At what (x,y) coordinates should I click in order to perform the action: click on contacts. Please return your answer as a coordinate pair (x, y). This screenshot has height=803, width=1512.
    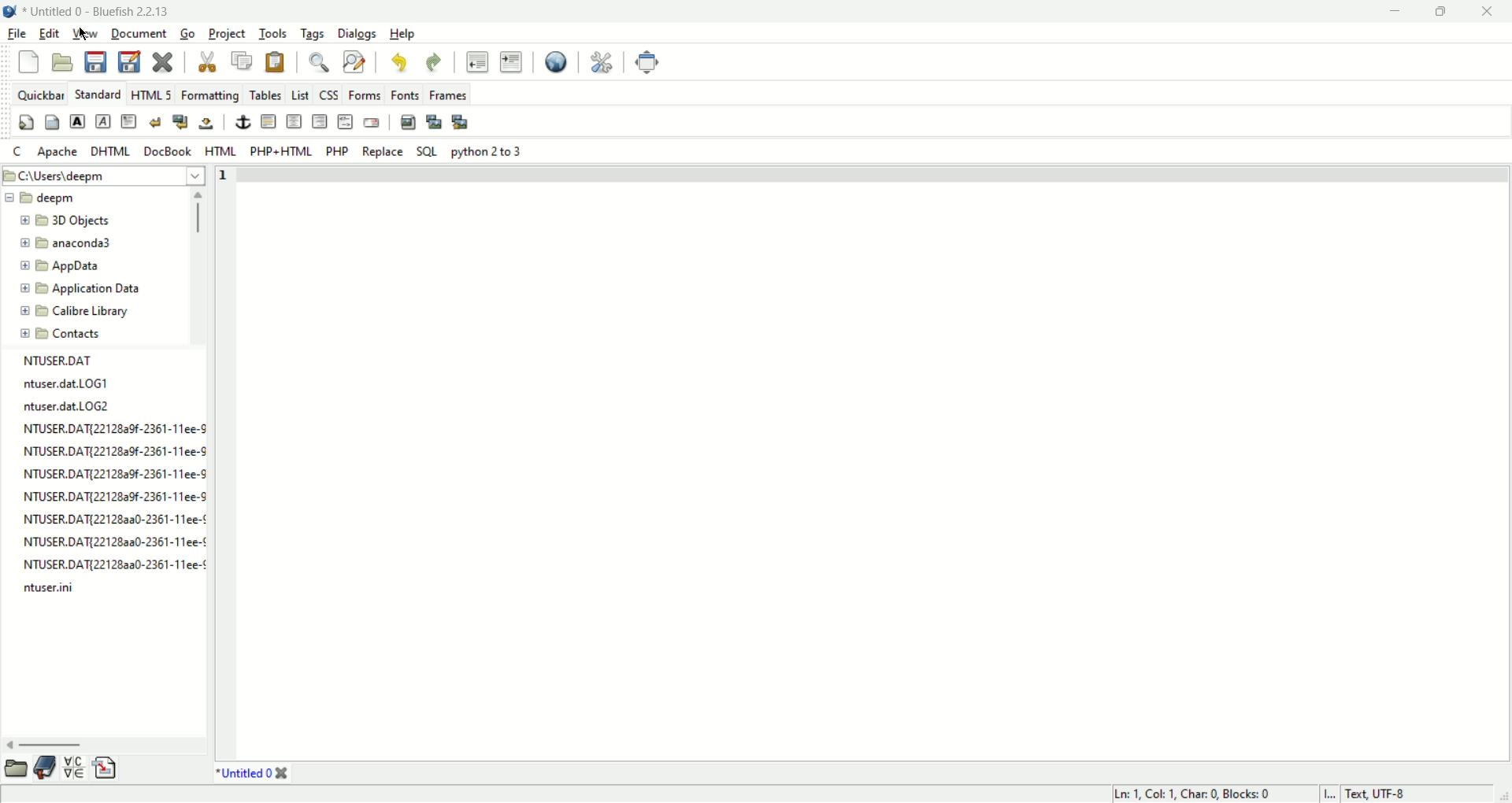
    Looking at the image, I should click on (61, 335).